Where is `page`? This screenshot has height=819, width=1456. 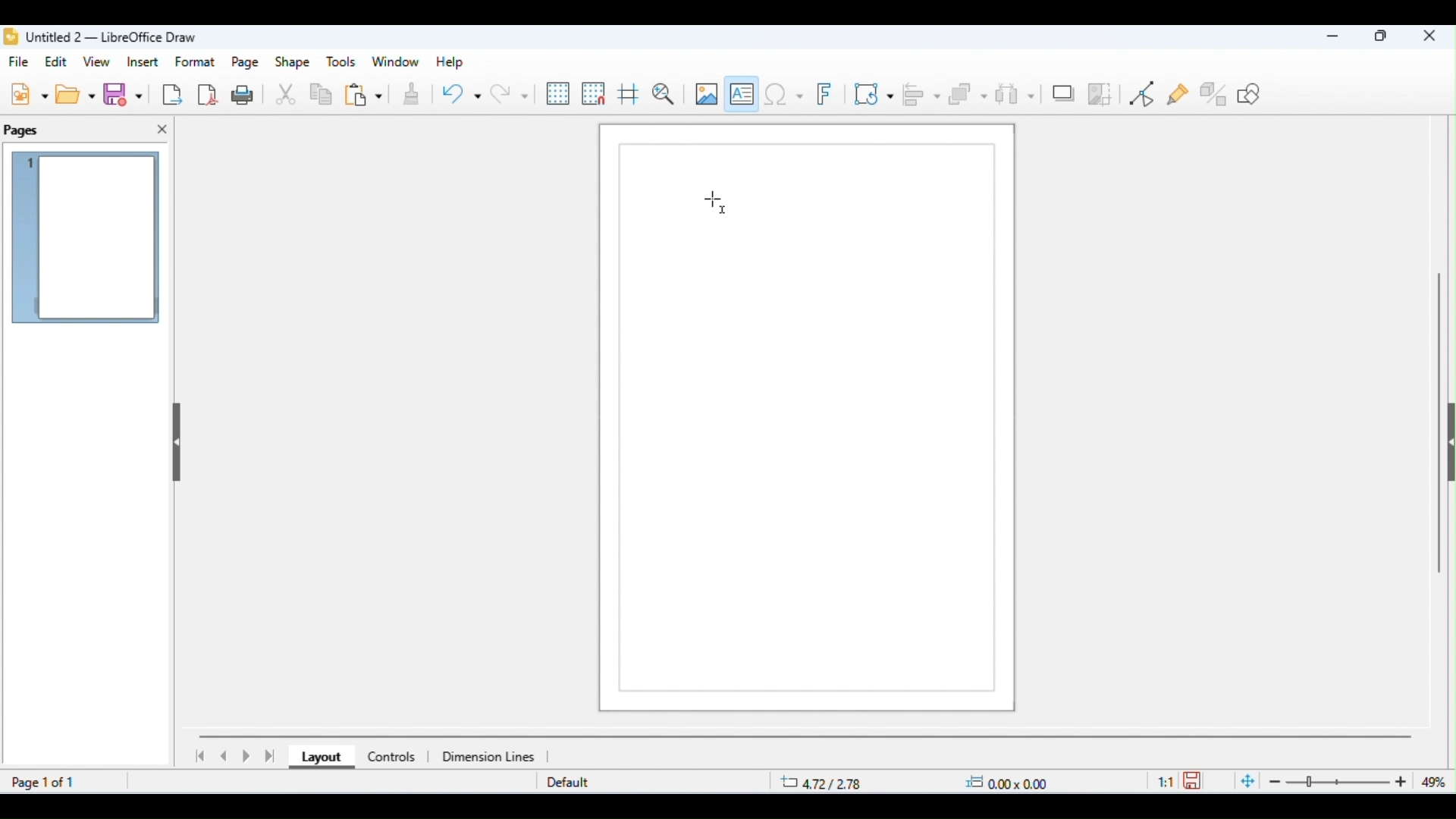 page is located at coordinates (246, 63).